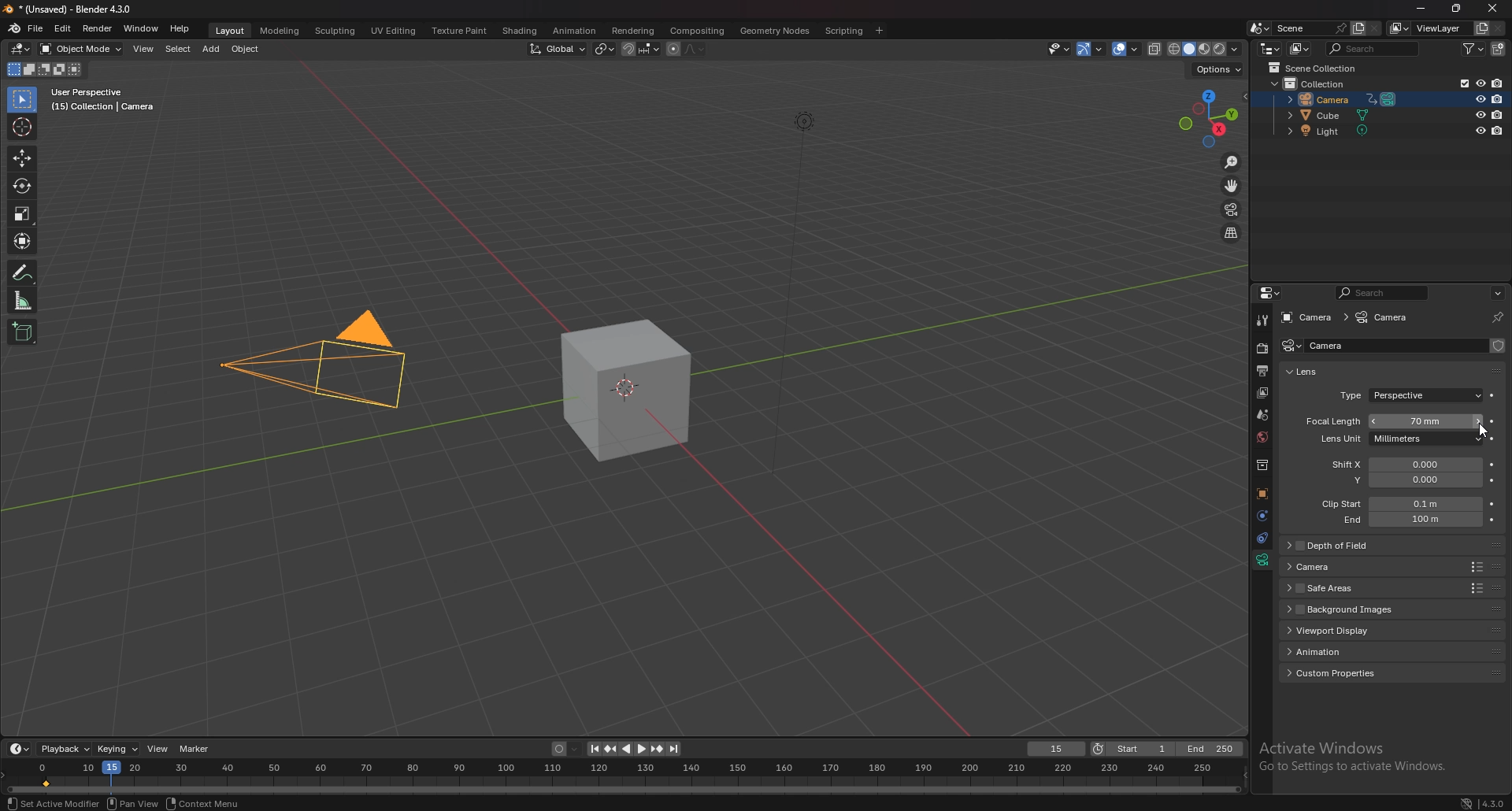 The width and height of the screenshot is (1512, 811). I want to click on edit, so click(64, 28).